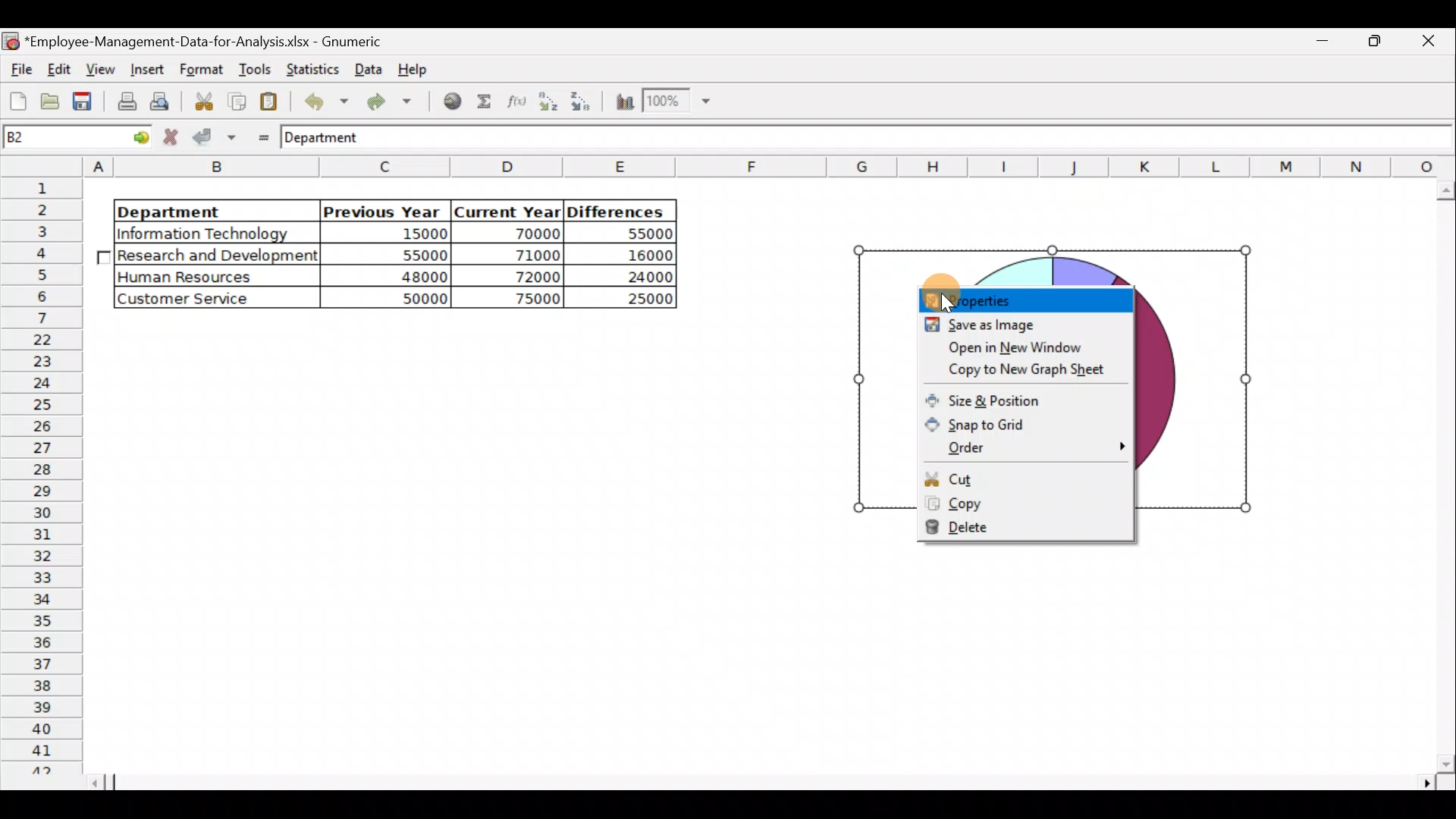 The image size is (1456, 819). What do you see at coordinates (517, 300) in the screenshot?
I see `75000` at bounding box center [517, 300].